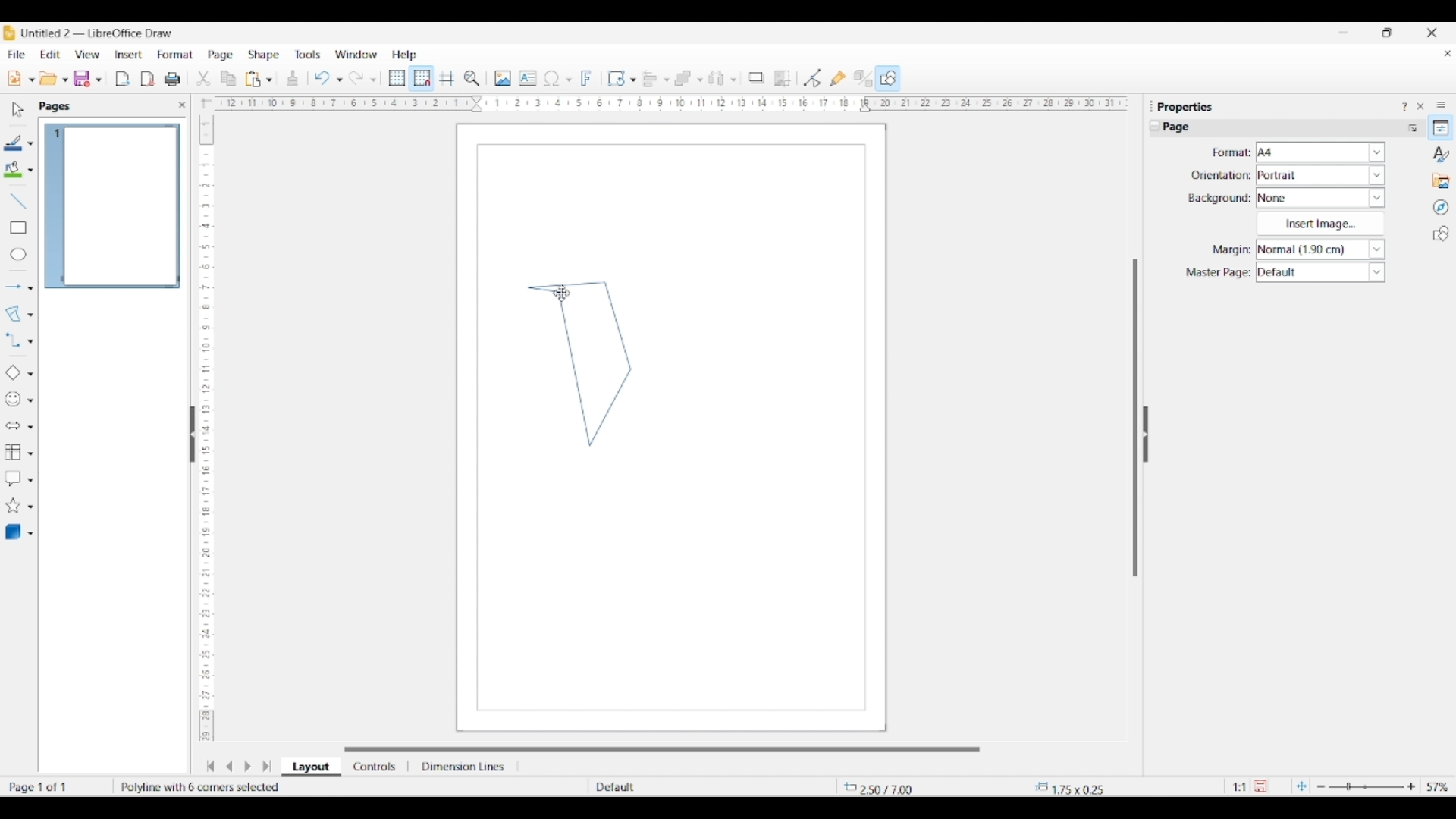  I want to click on Toggle point edit mode, so click(813, 79).